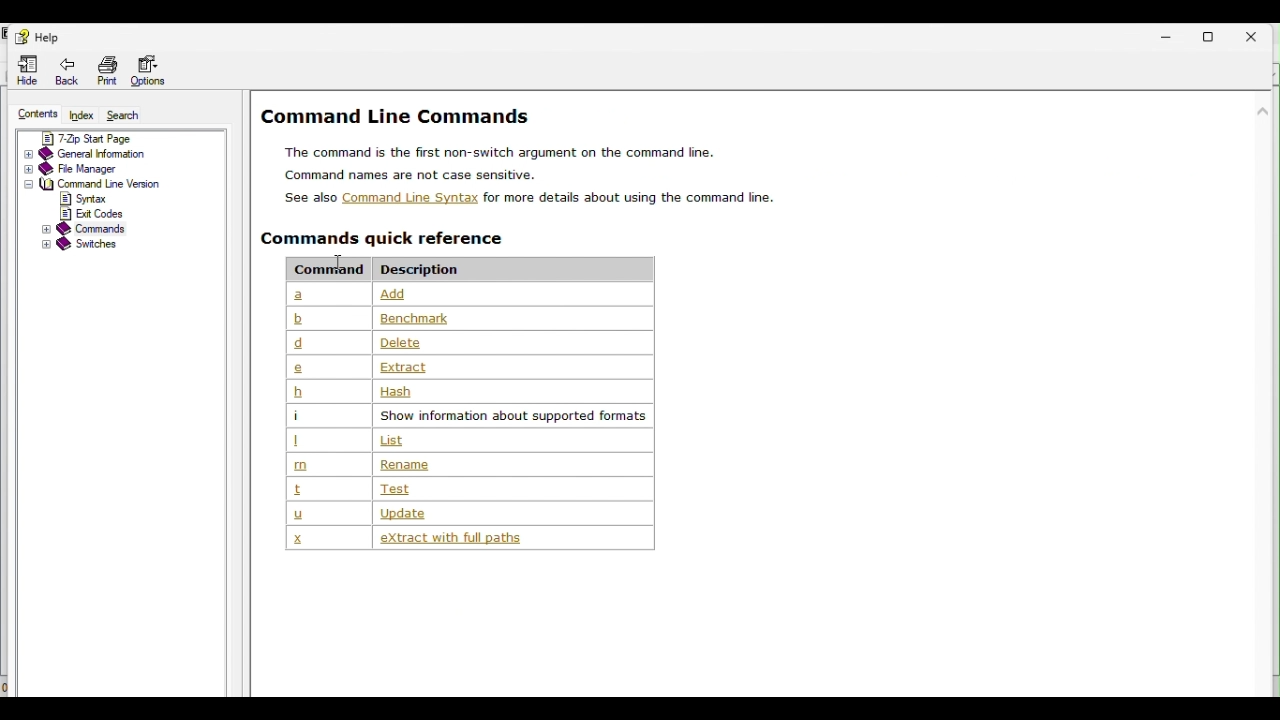 The width and height of the screenshot is (1280, 720). What do you see at coordinates (390, 239) in the screenshot?
I see `commands` at bounding box center [390, 239].